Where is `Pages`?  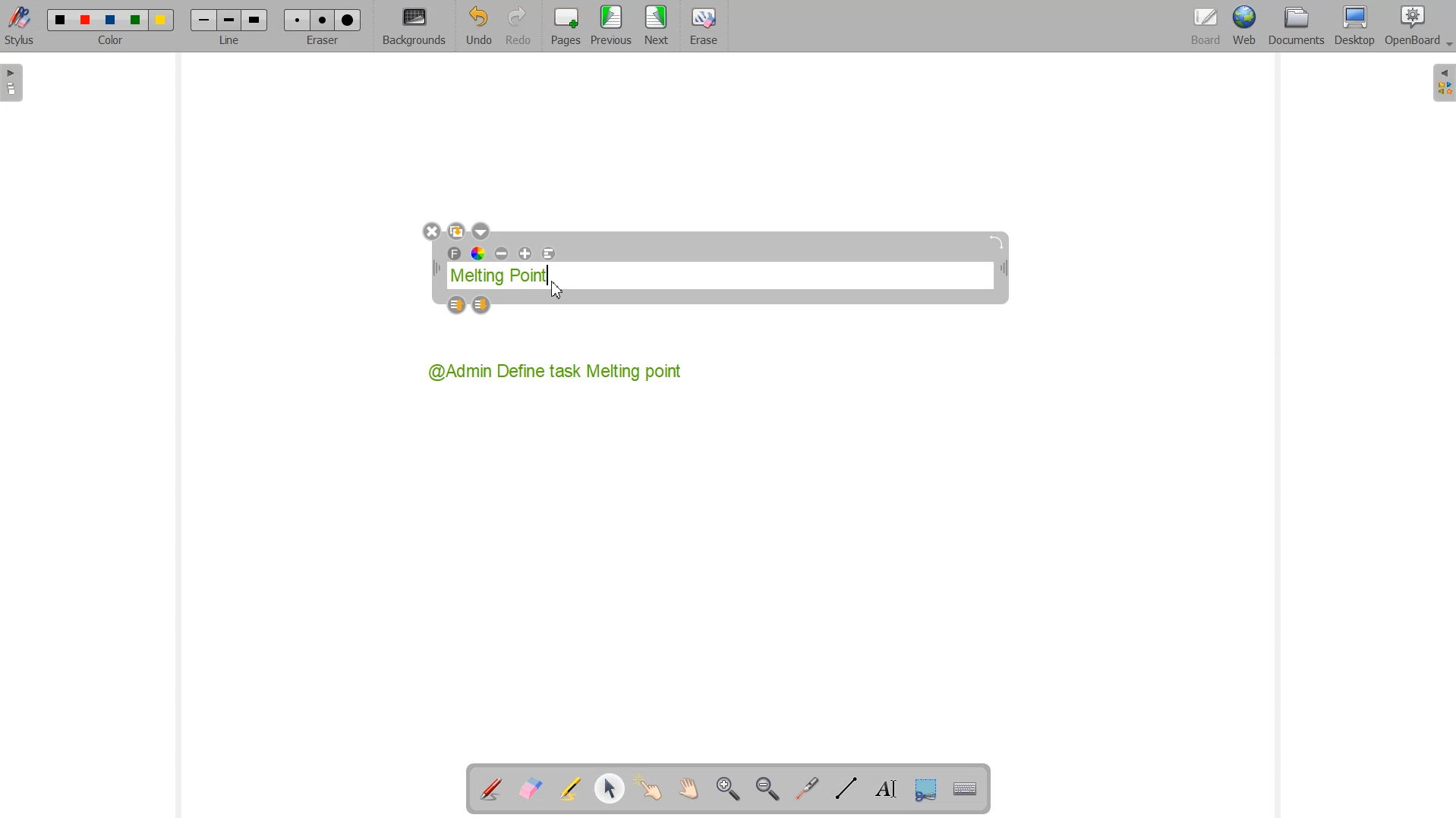
Pages is located at coordinates (563, 27).